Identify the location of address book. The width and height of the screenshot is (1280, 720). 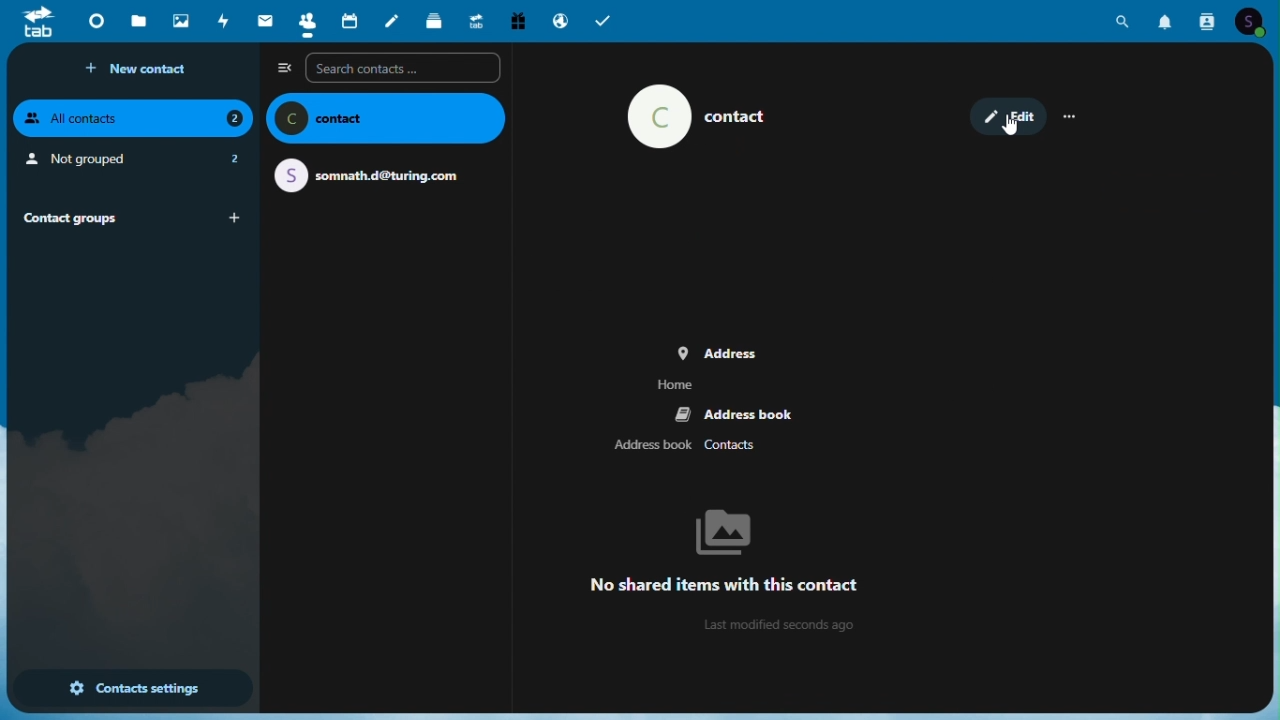
(653, 444).